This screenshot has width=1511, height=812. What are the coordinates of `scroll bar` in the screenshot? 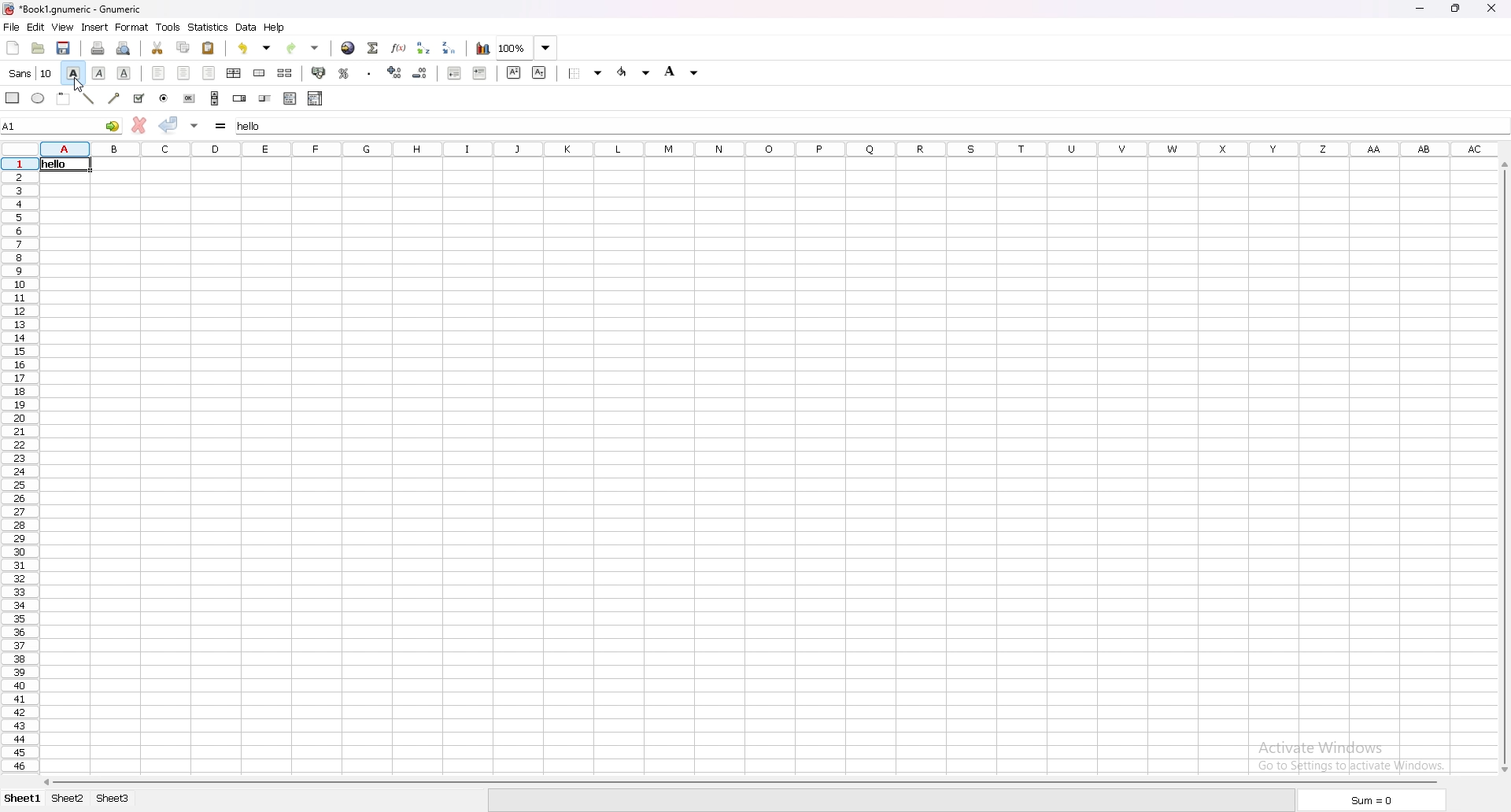 It's located at (1504, 468).